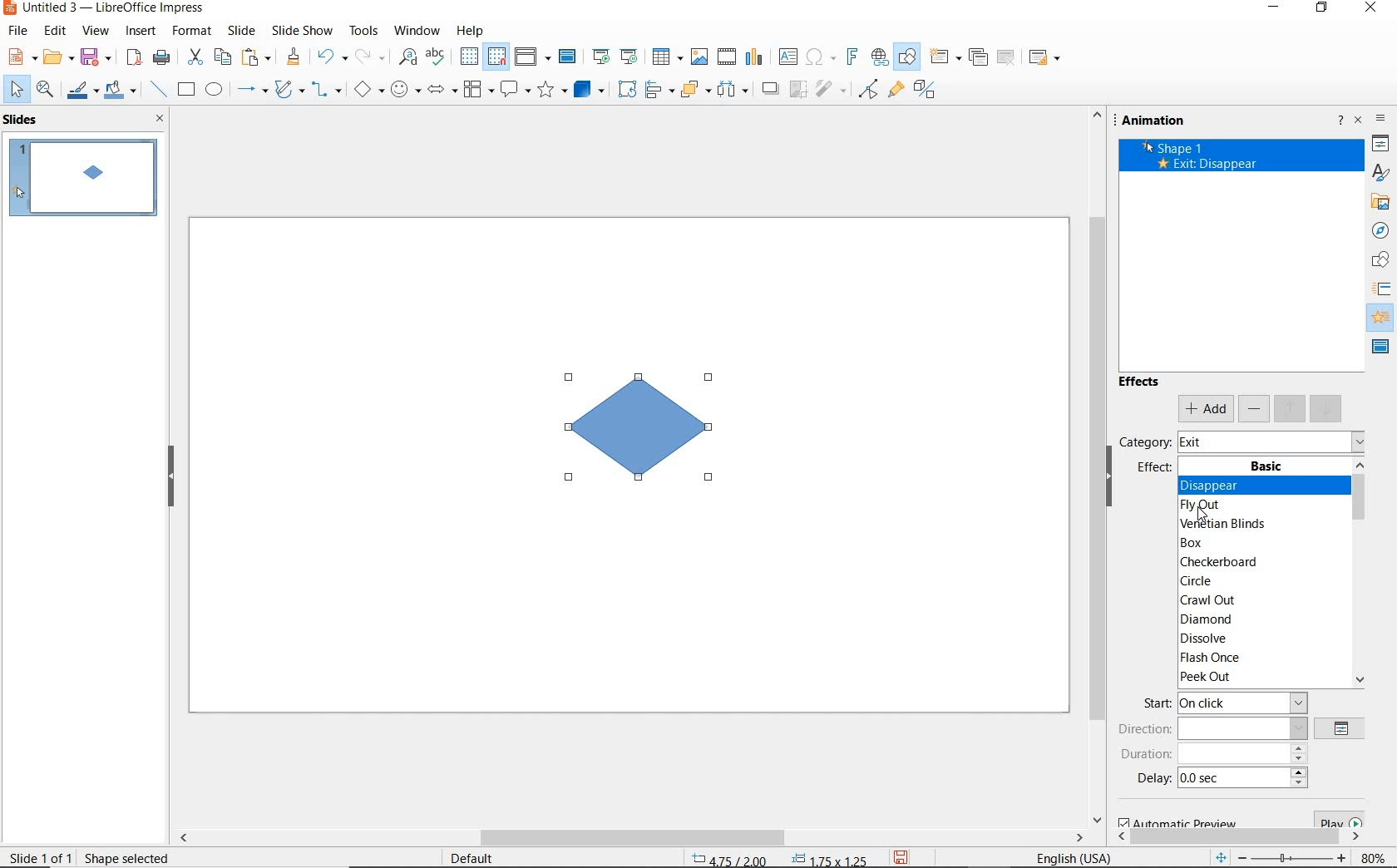 The height and width of the screenshot is (868, 1397). Describe the element at coordinates (159, 88) in the screenshot. I see `insert line` at that location.